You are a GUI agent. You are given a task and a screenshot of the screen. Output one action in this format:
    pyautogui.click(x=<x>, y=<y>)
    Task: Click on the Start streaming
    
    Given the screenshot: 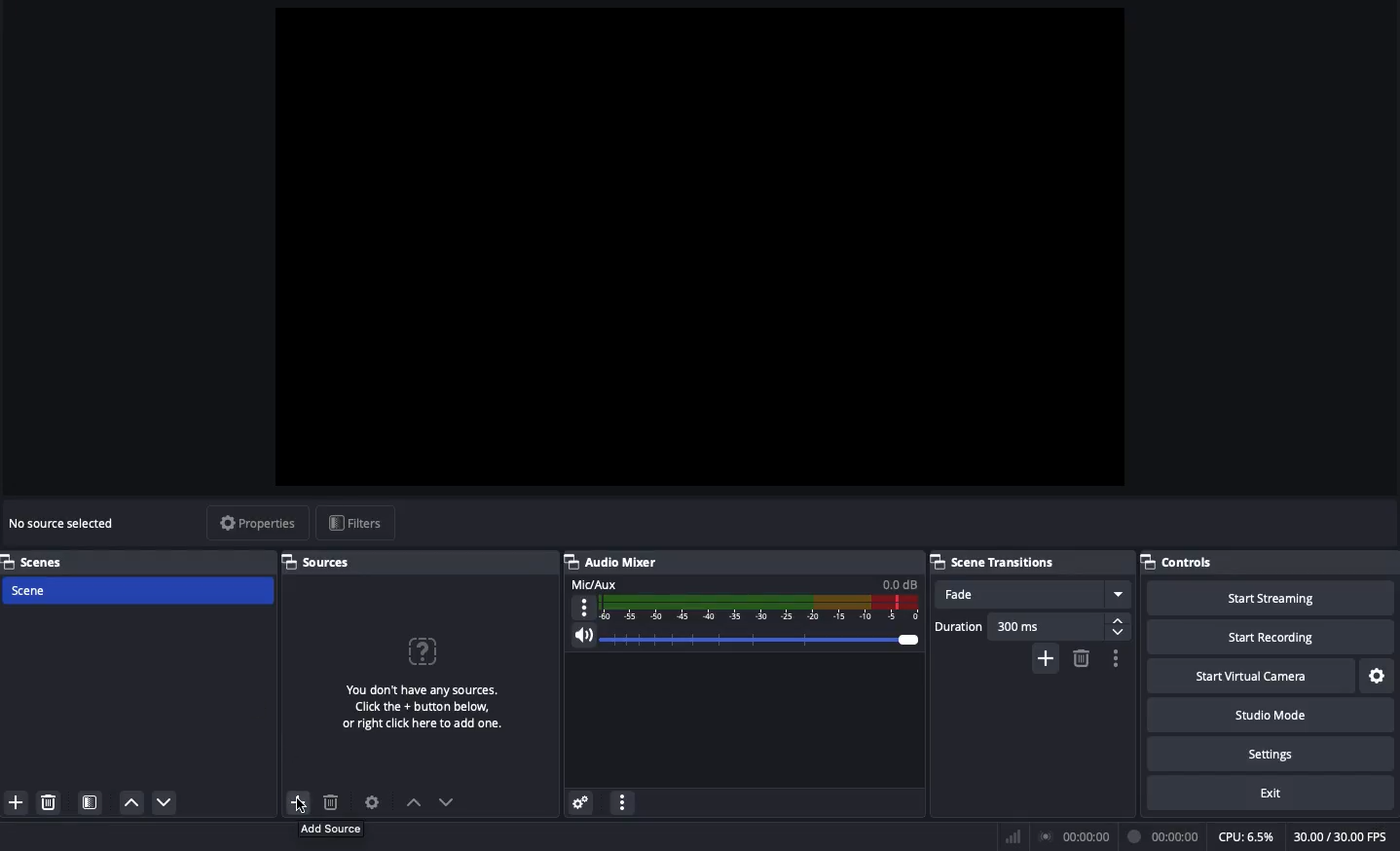 What is the action you would take?
    pyautogui.click(x=1277, y=594)
    